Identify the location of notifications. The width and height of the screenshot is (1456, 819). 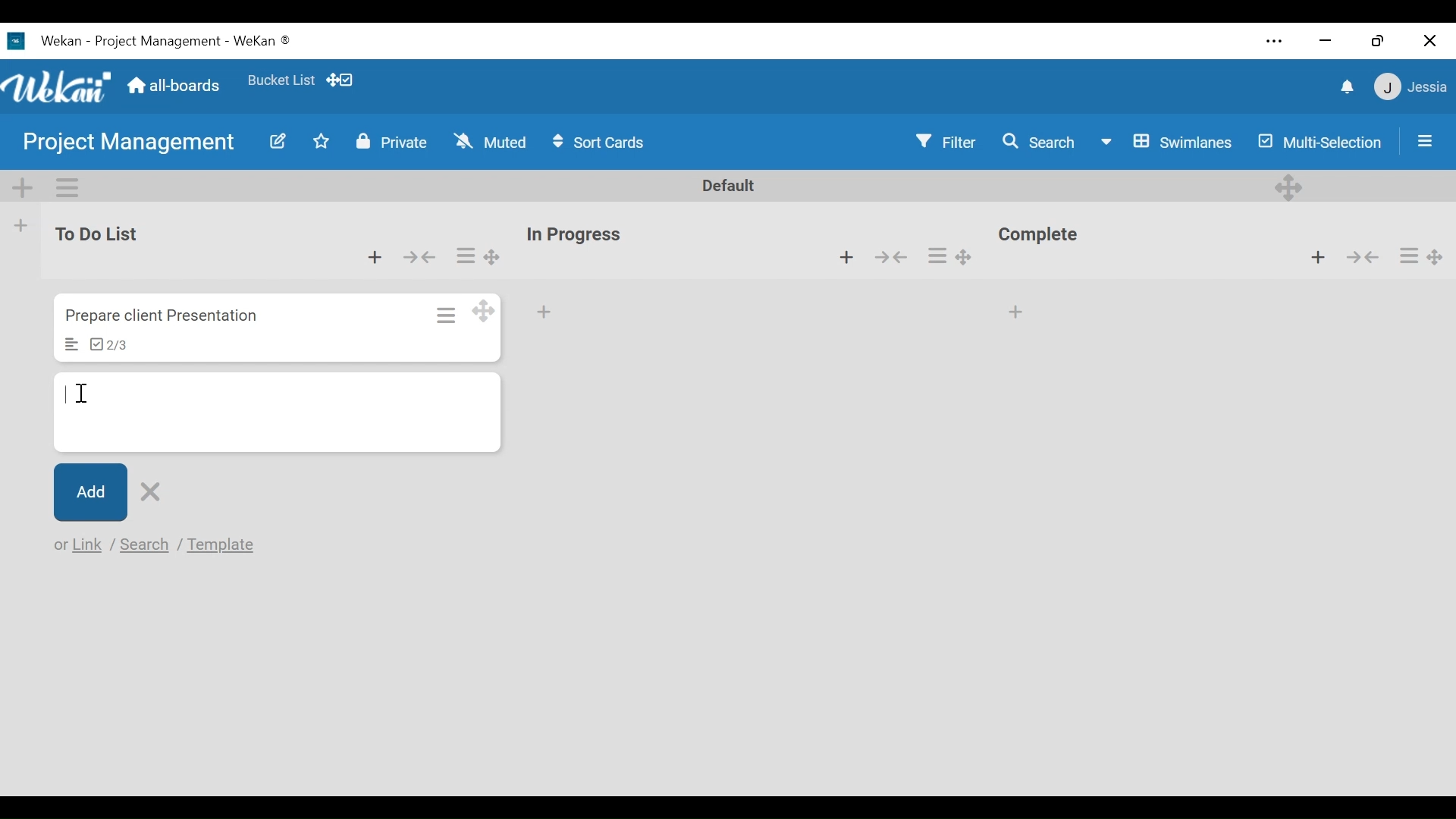
(1343, 86).